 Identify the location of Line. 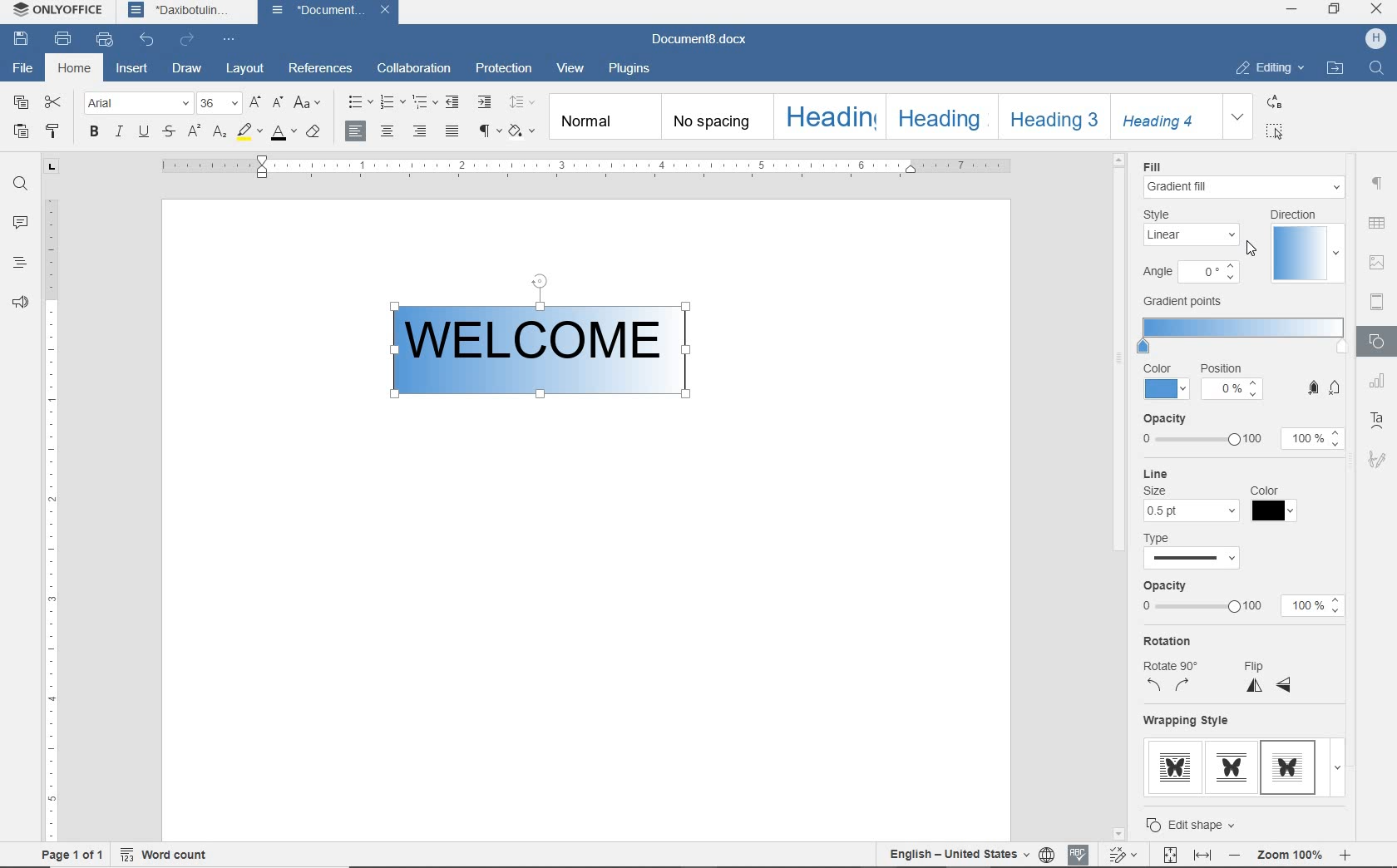
(1160, 473).